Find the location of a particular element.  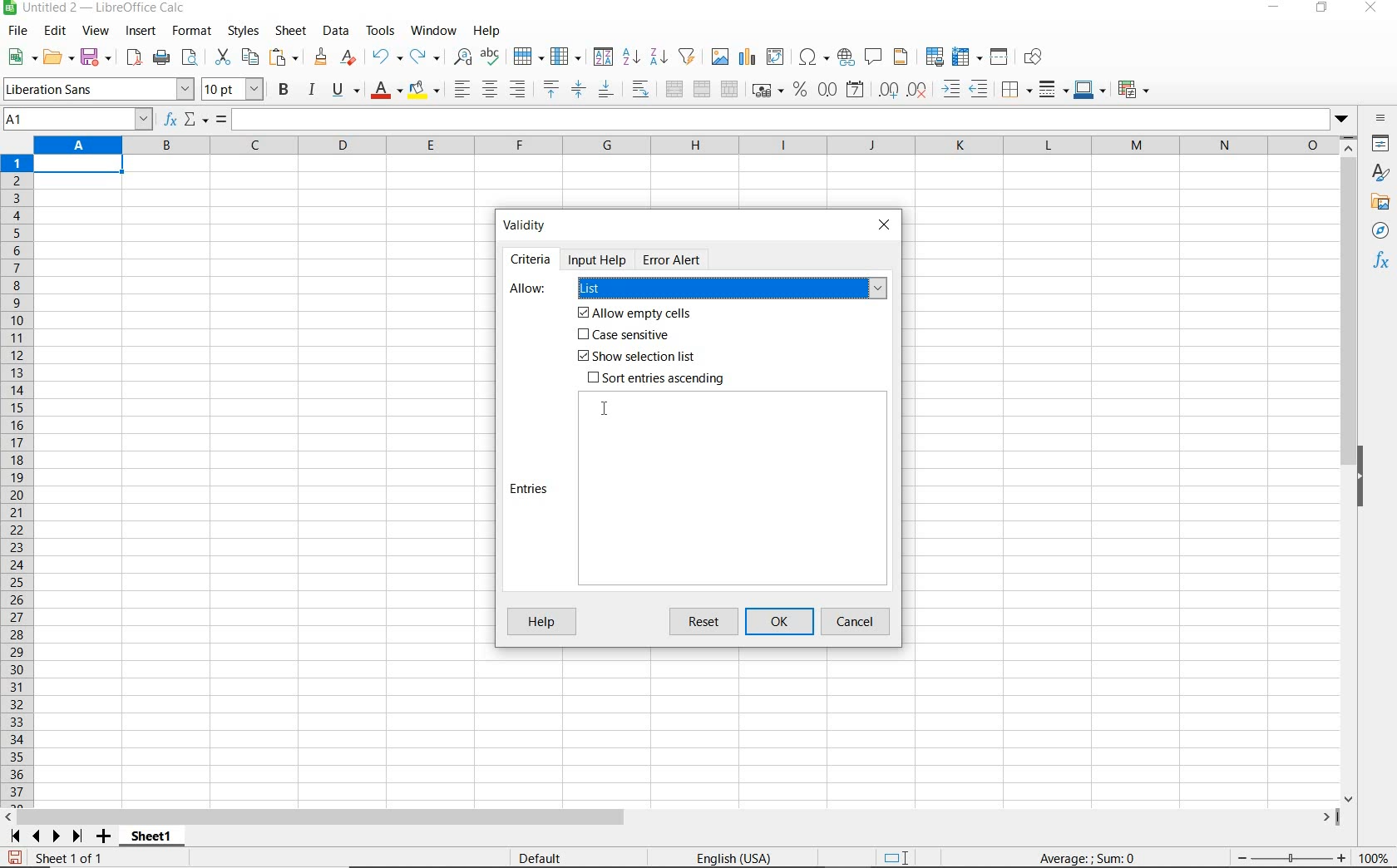

add sheet is located at coordinates (101, 838).